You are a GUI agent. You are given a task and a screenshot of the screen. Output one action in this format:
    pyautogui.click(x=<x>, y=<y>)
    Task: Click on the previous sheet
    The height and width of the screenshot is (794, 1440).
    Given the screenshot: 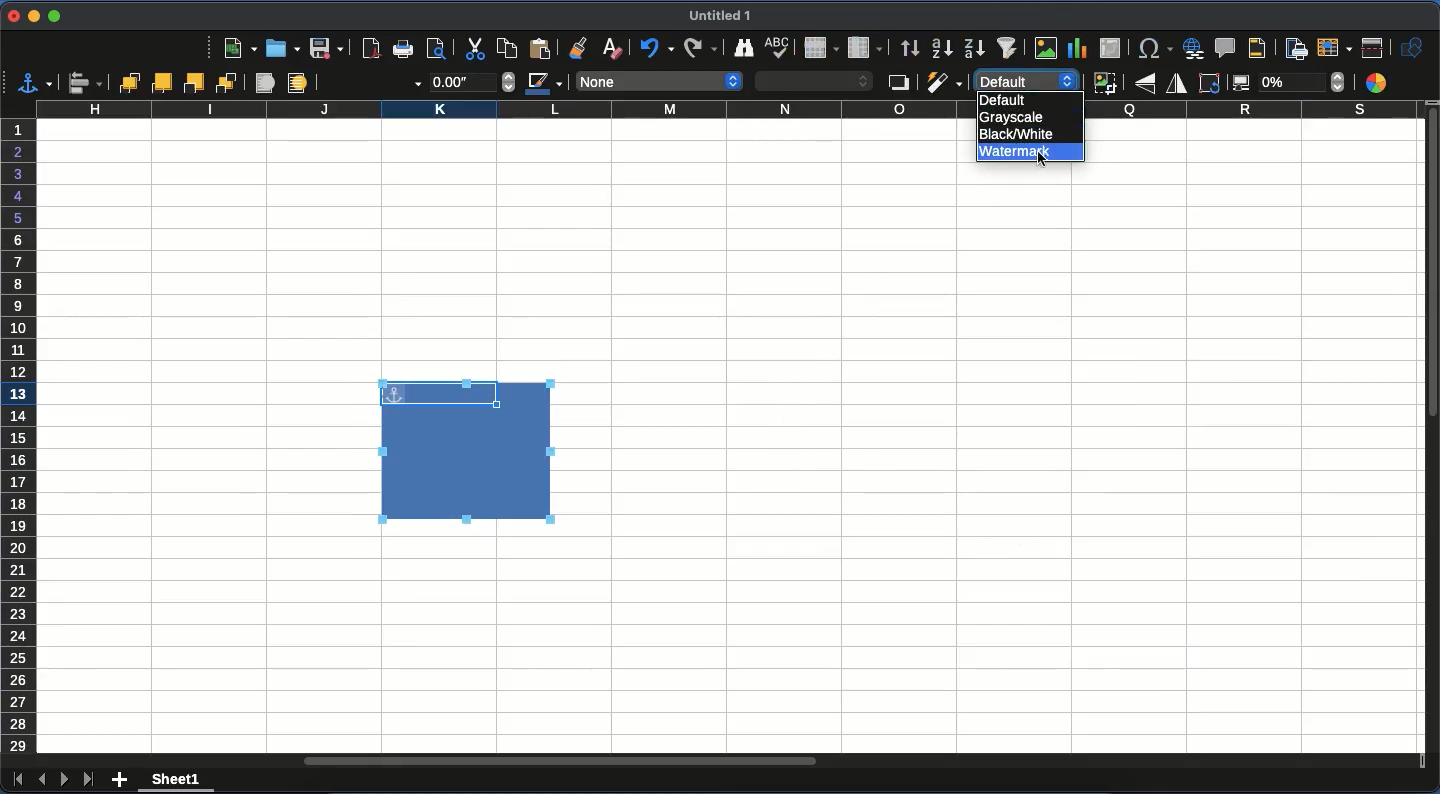 What is the action you would take?
    pyautogui.click(x=41, y=779)
    